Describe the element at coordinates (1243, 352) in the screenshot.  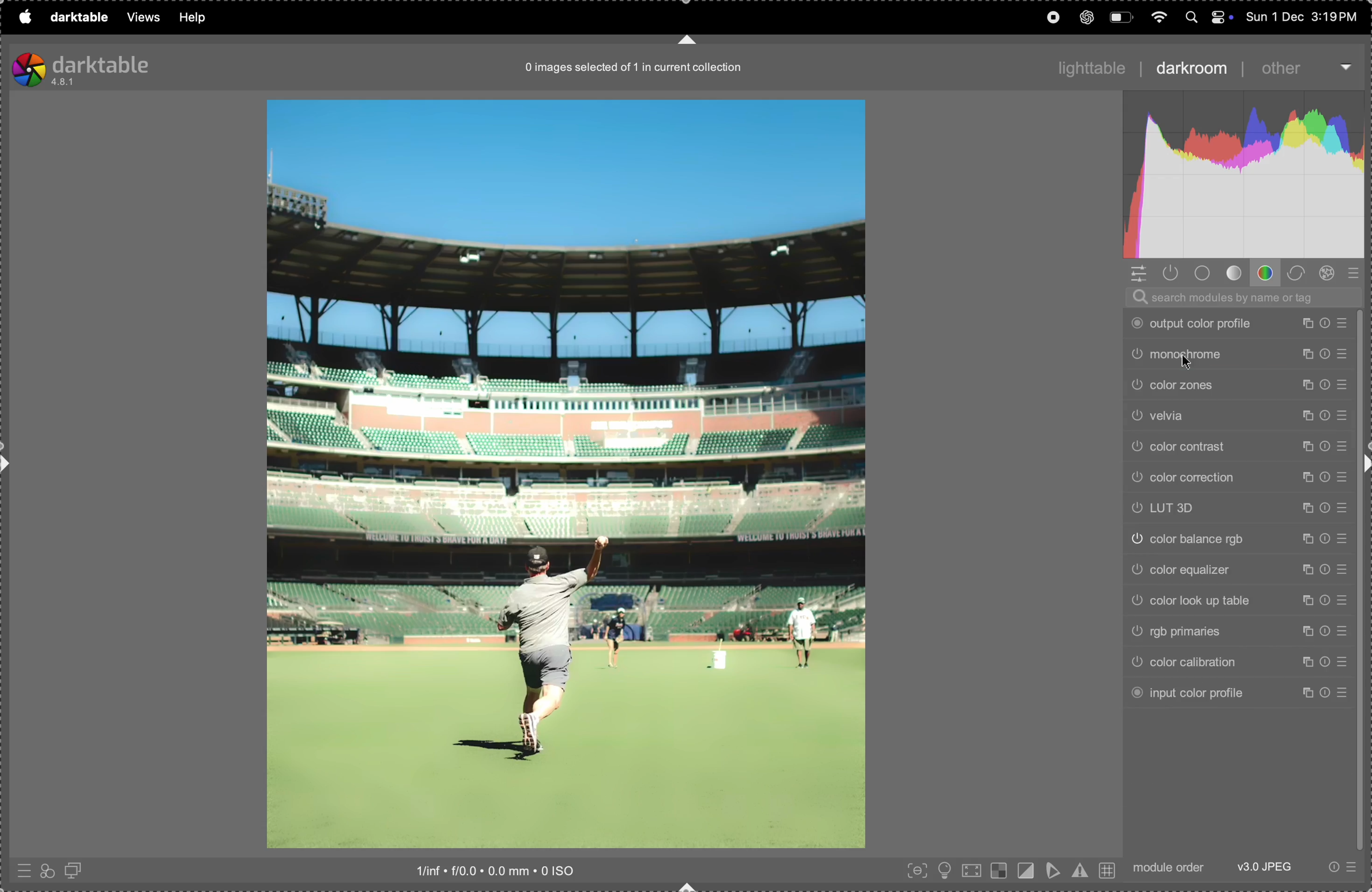
I see `monochrome` at that location.